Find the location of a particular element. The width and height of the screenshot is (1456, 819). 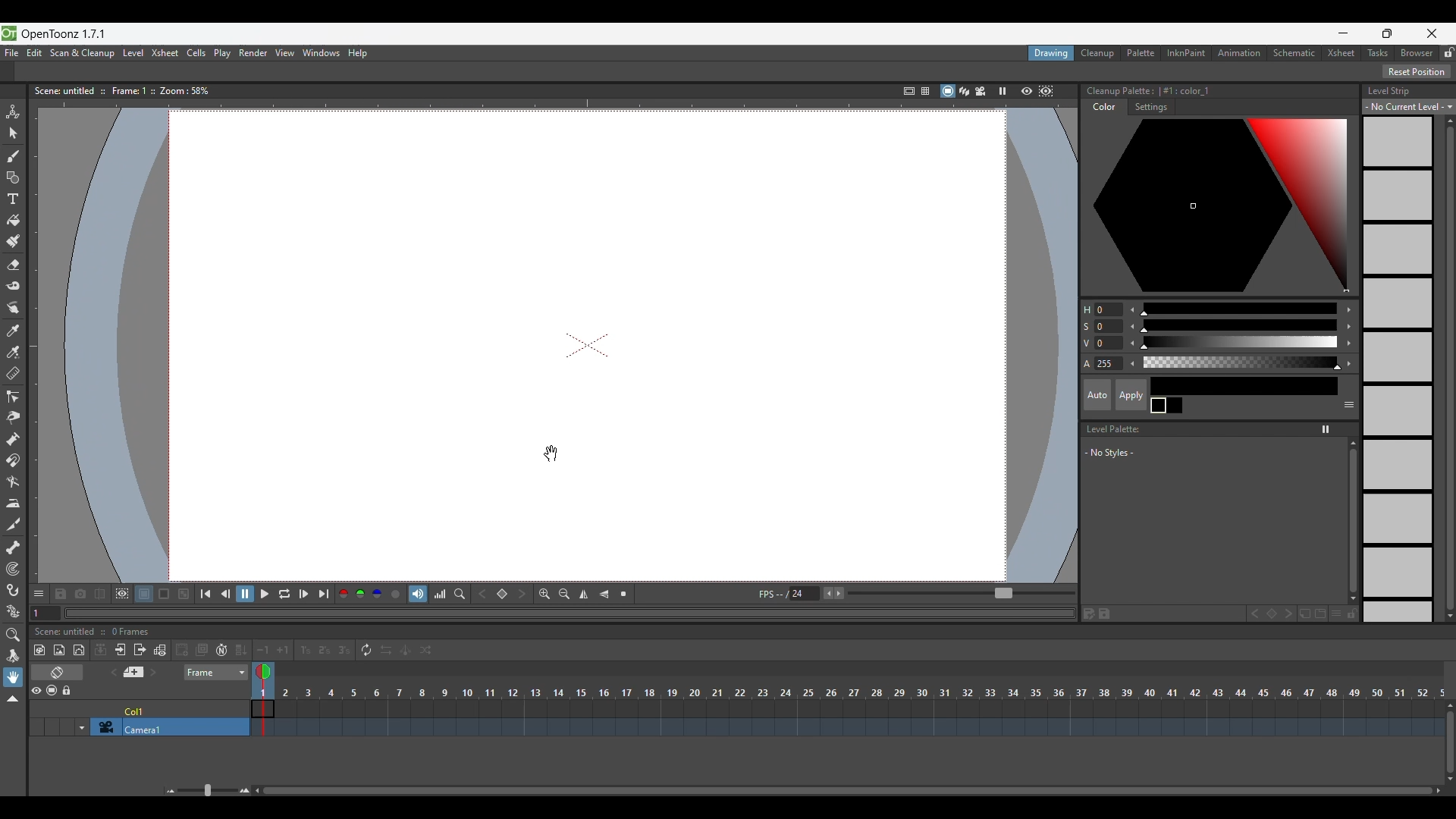

Click to select column is located at coordinates (140, 709).